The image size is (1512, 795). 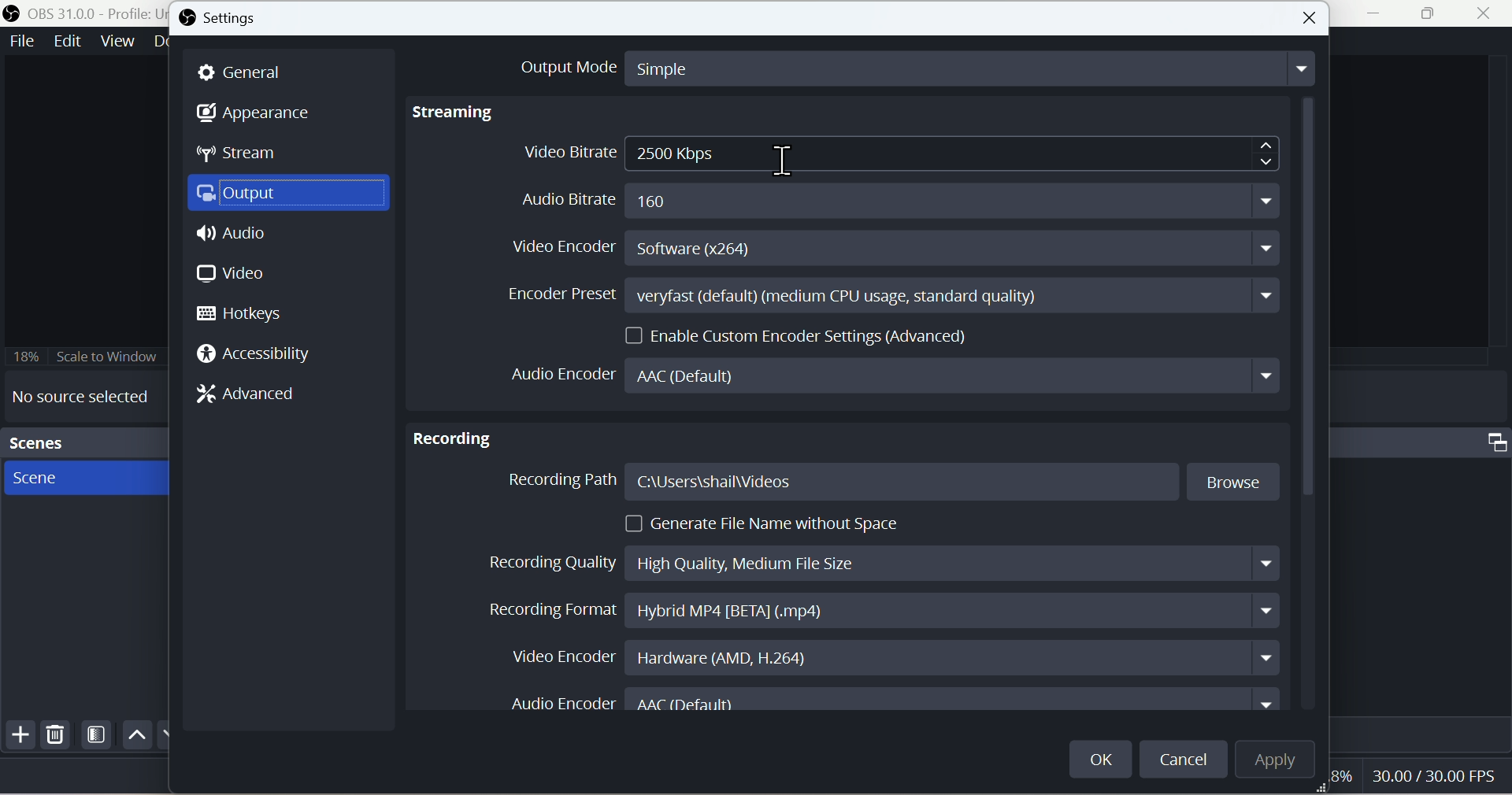 What do you see at coordinates (1102, 755) in the screenshot?
I see `OK` at bounding box center [1102, 755].